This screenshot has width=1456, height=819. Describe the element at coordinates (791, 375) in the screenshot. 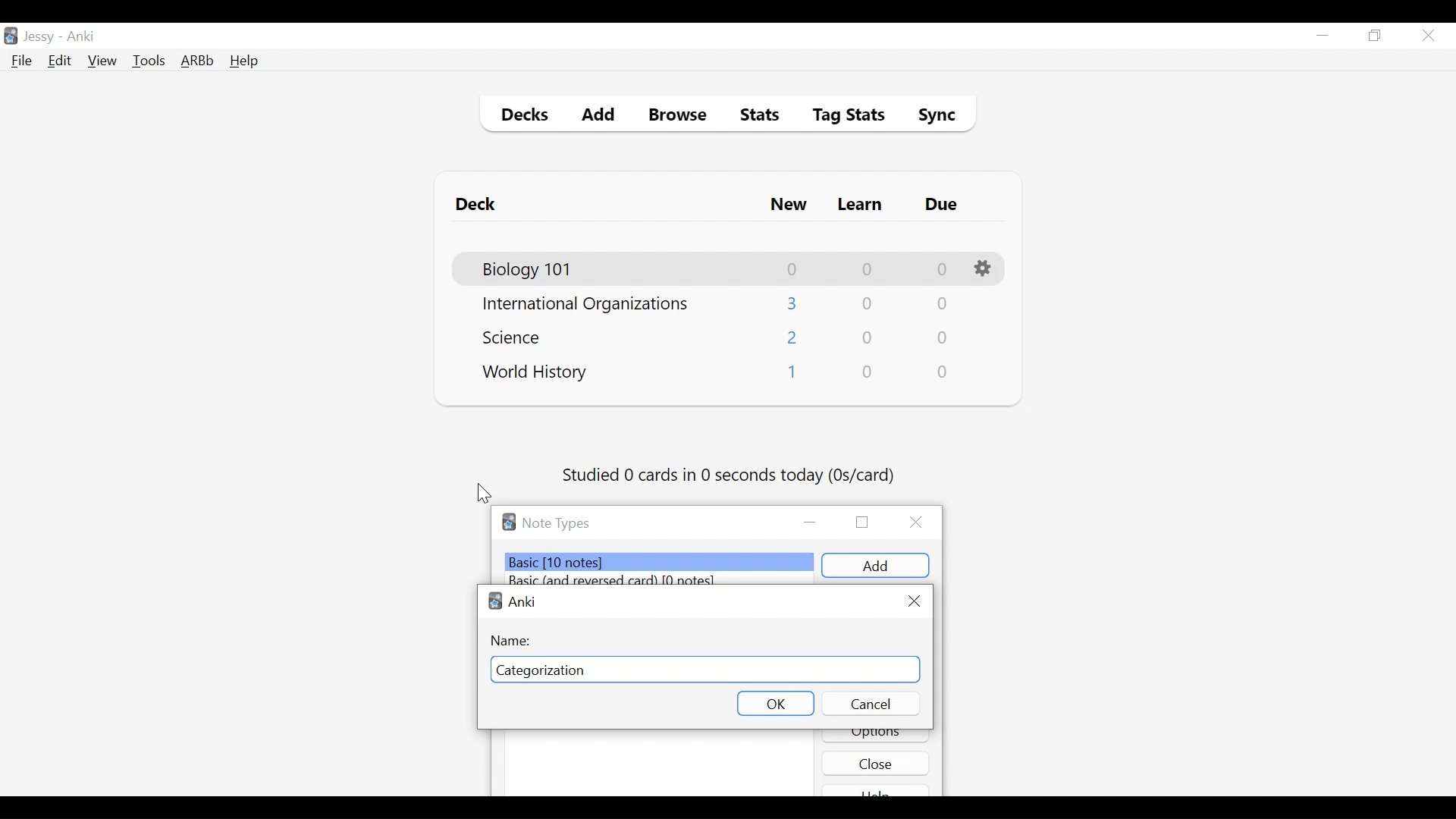

I see `New Card Count` at that location.